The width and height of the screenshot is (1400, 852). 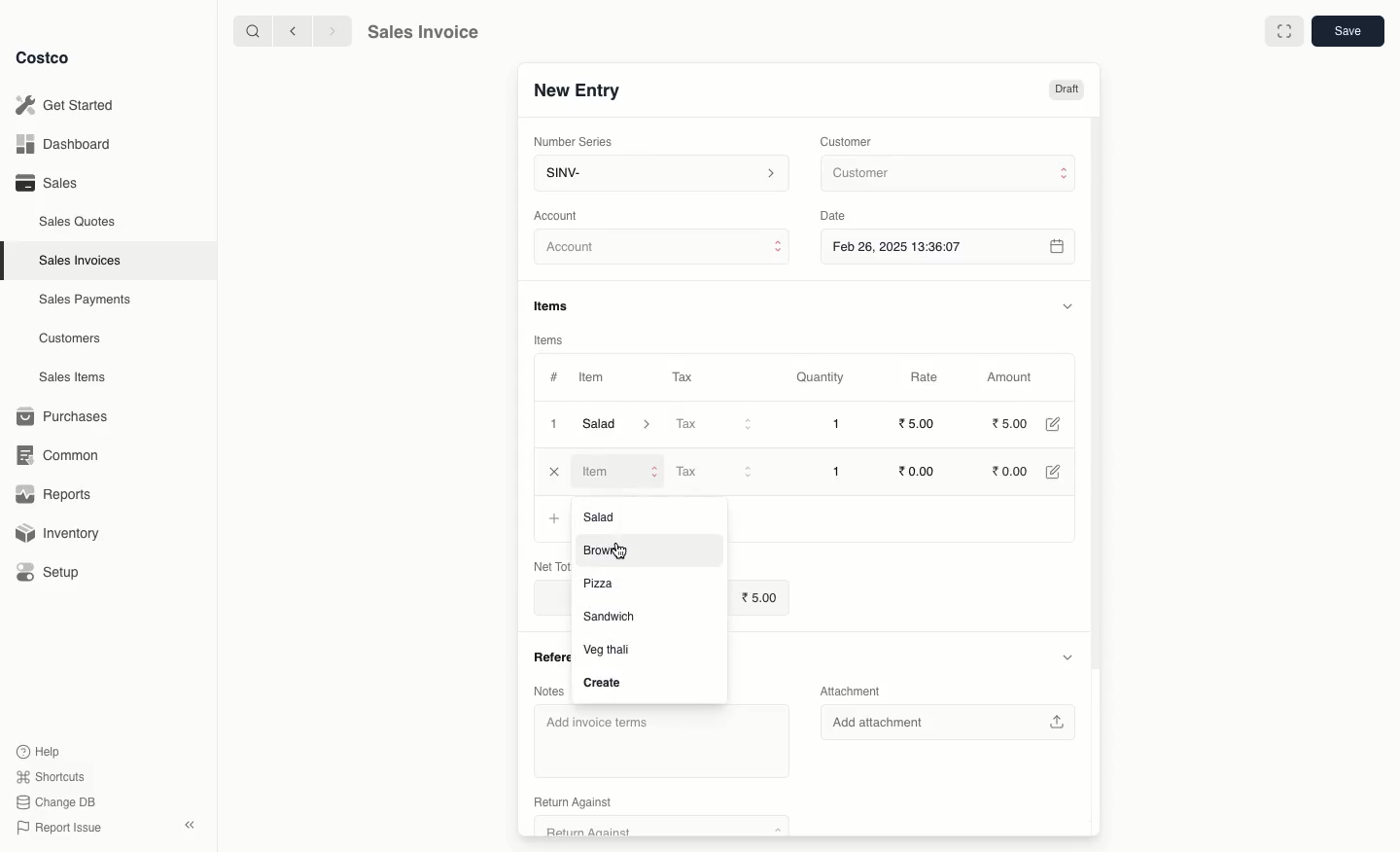 I want to click on Sales, so click(x=46, y=183).